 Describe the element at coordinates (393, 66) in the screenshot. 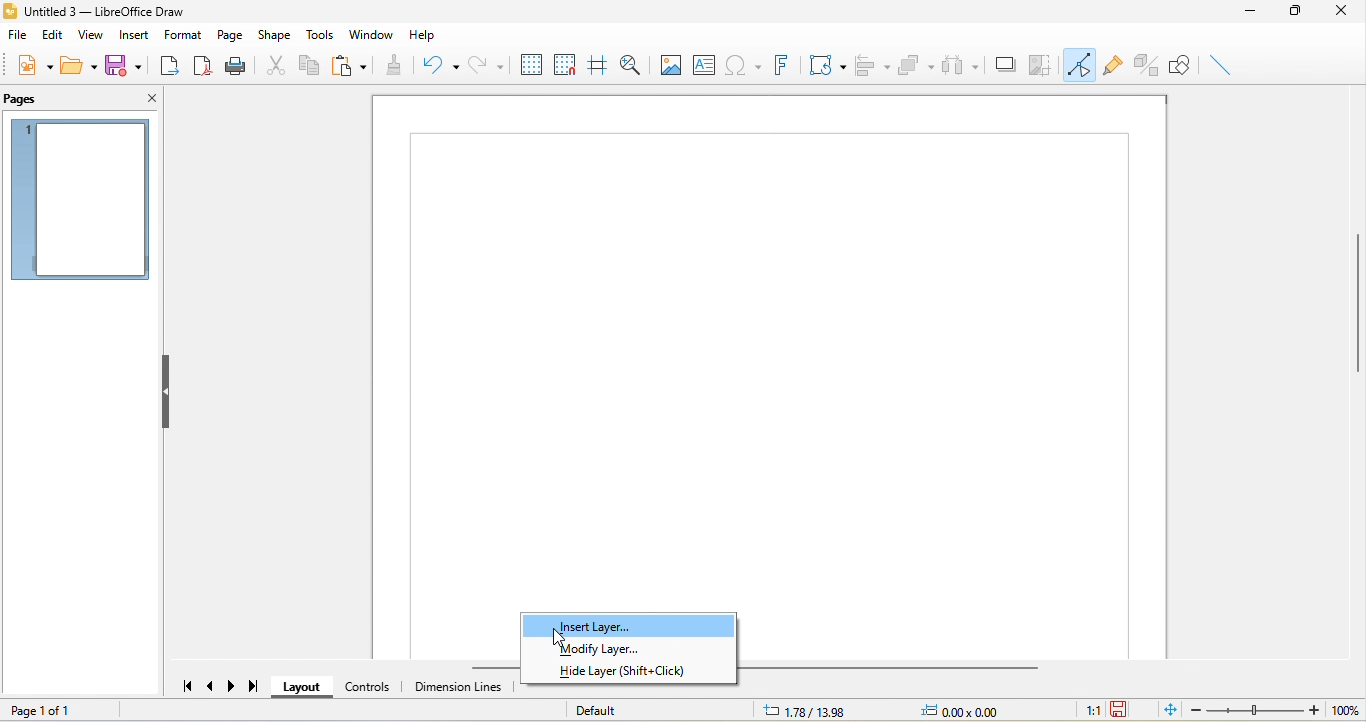

I see `clone formatting` at that location.